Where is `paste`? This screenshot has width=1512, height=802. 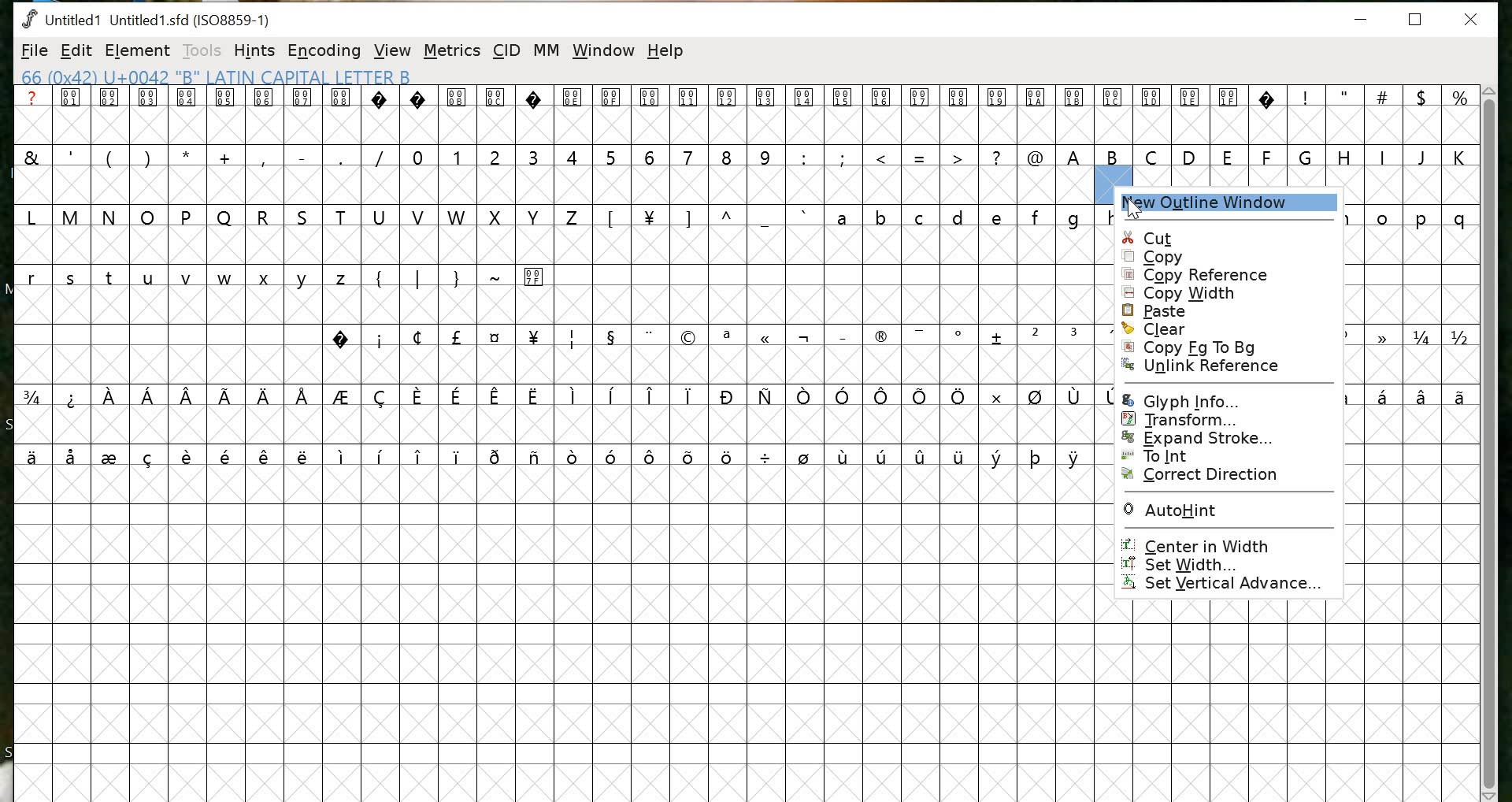 paste is located at coordinates (1235, 312).